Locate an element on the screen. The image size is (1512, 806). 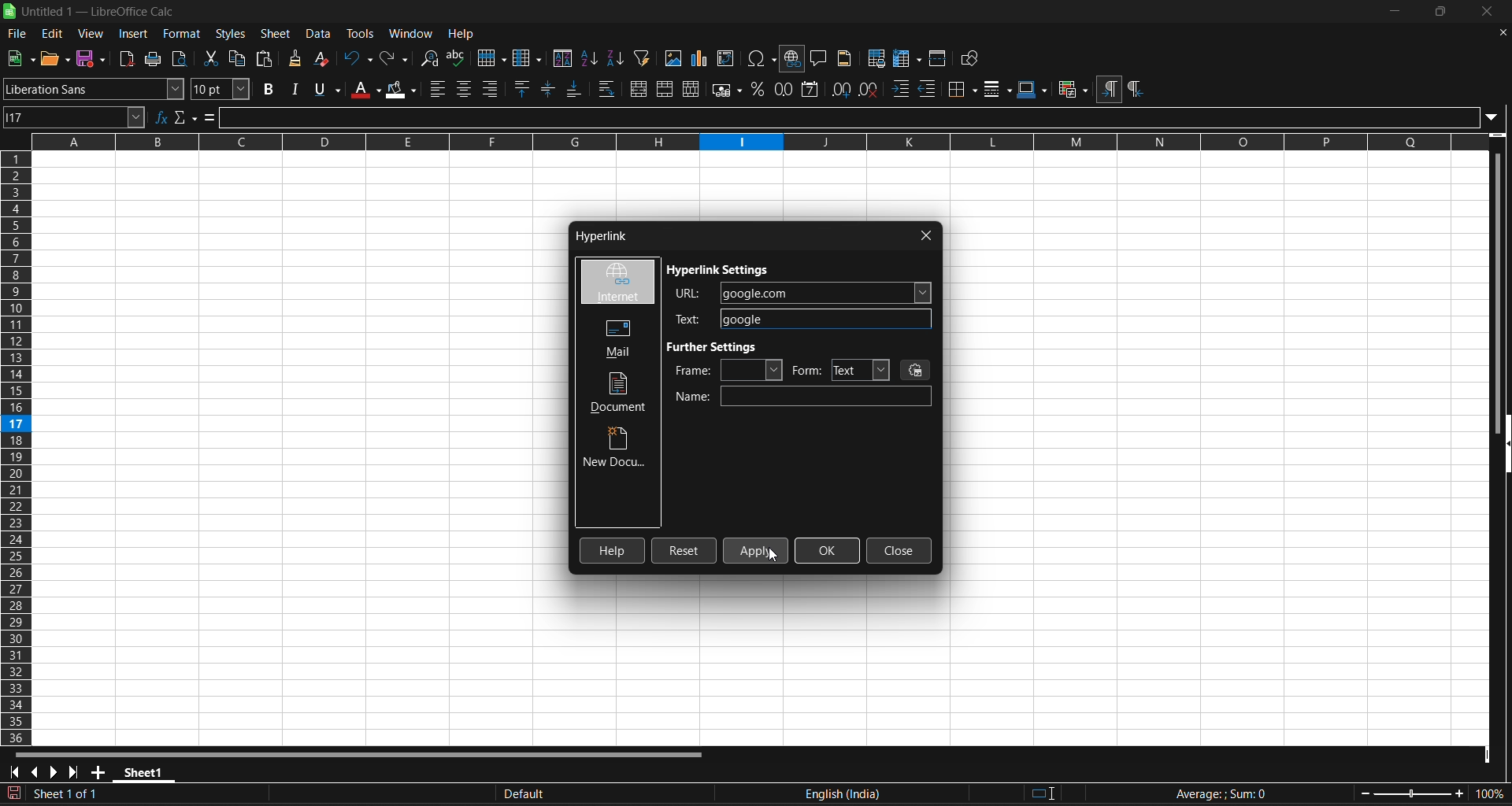
bold is located at coordinates (269, 89).